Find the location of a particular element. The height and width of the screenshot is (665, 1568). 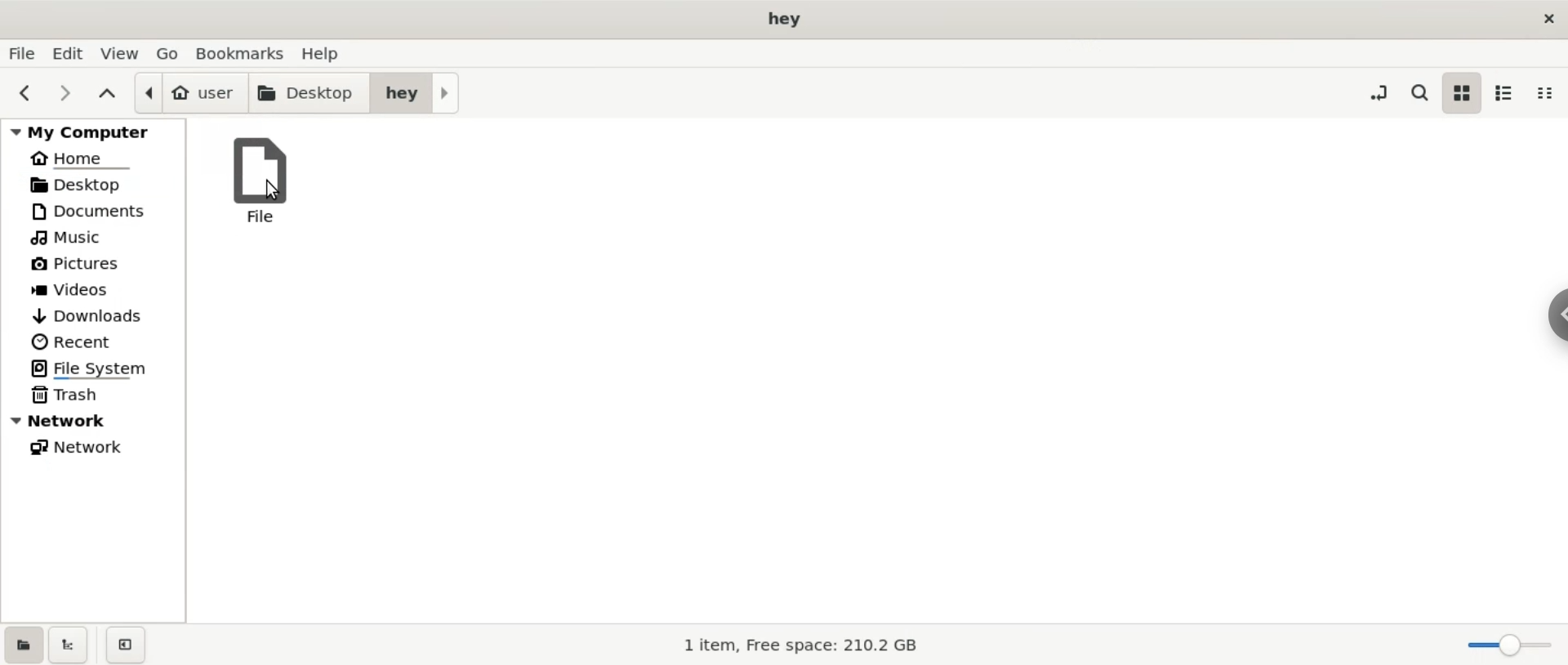

next is located at coordinates (65, 94).